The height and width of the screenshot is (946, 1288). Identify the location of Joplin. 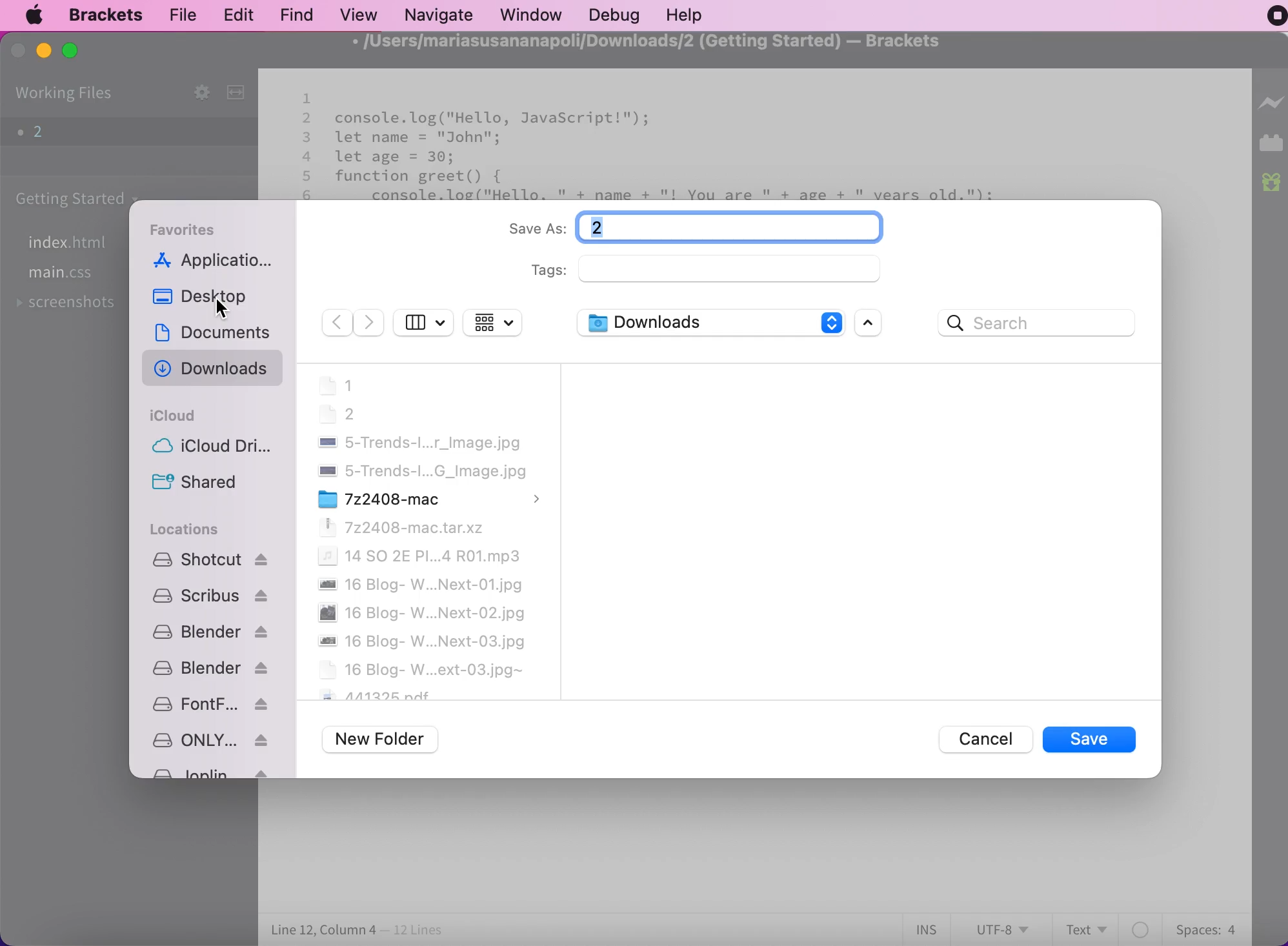
(208, 773).